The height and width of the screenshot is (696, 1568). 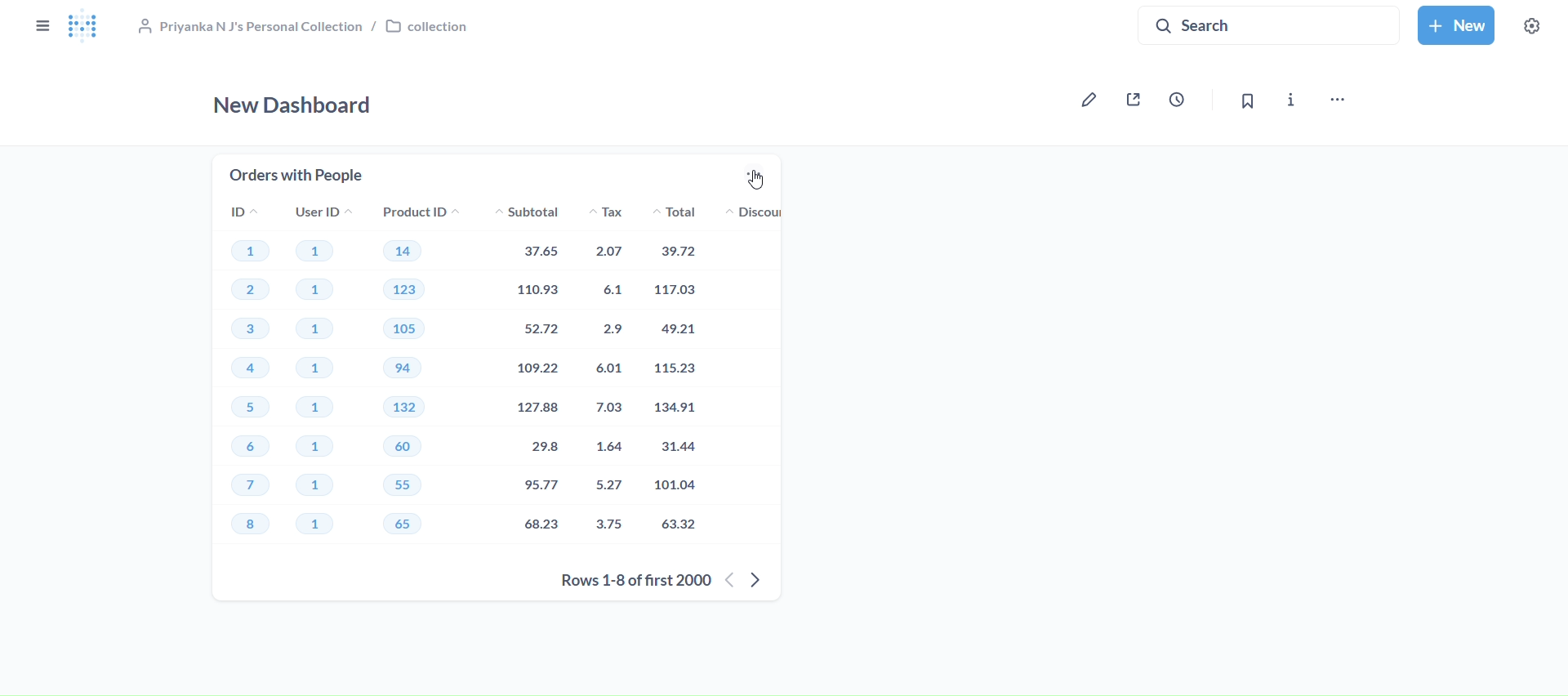 What do you see at coordinates (757, 579) in the screenshot?
I see `next` at bounding box center [757, 579].